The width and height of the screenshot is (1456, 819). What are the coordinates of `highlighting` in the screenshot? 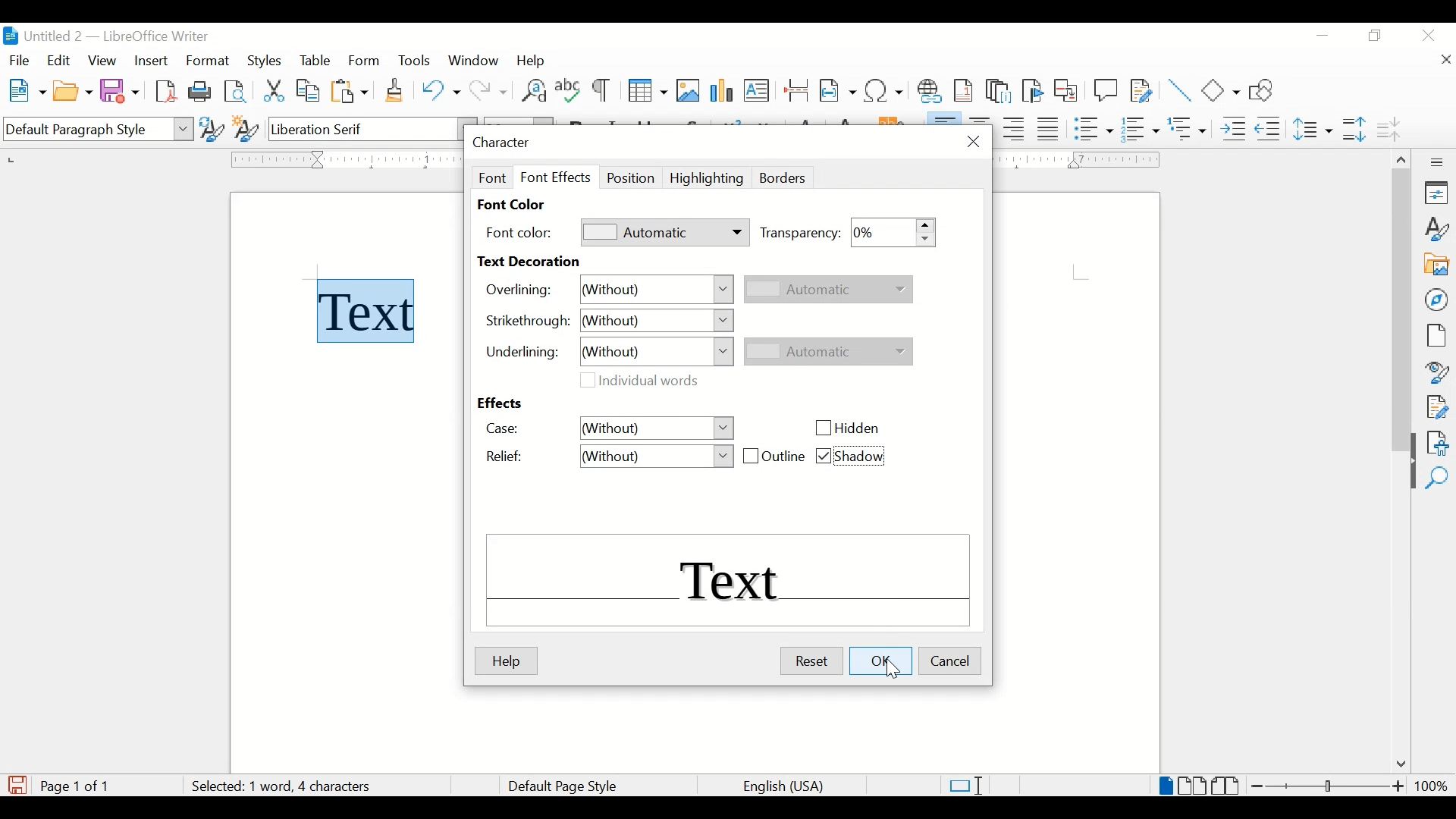 It's located at (708, 179).